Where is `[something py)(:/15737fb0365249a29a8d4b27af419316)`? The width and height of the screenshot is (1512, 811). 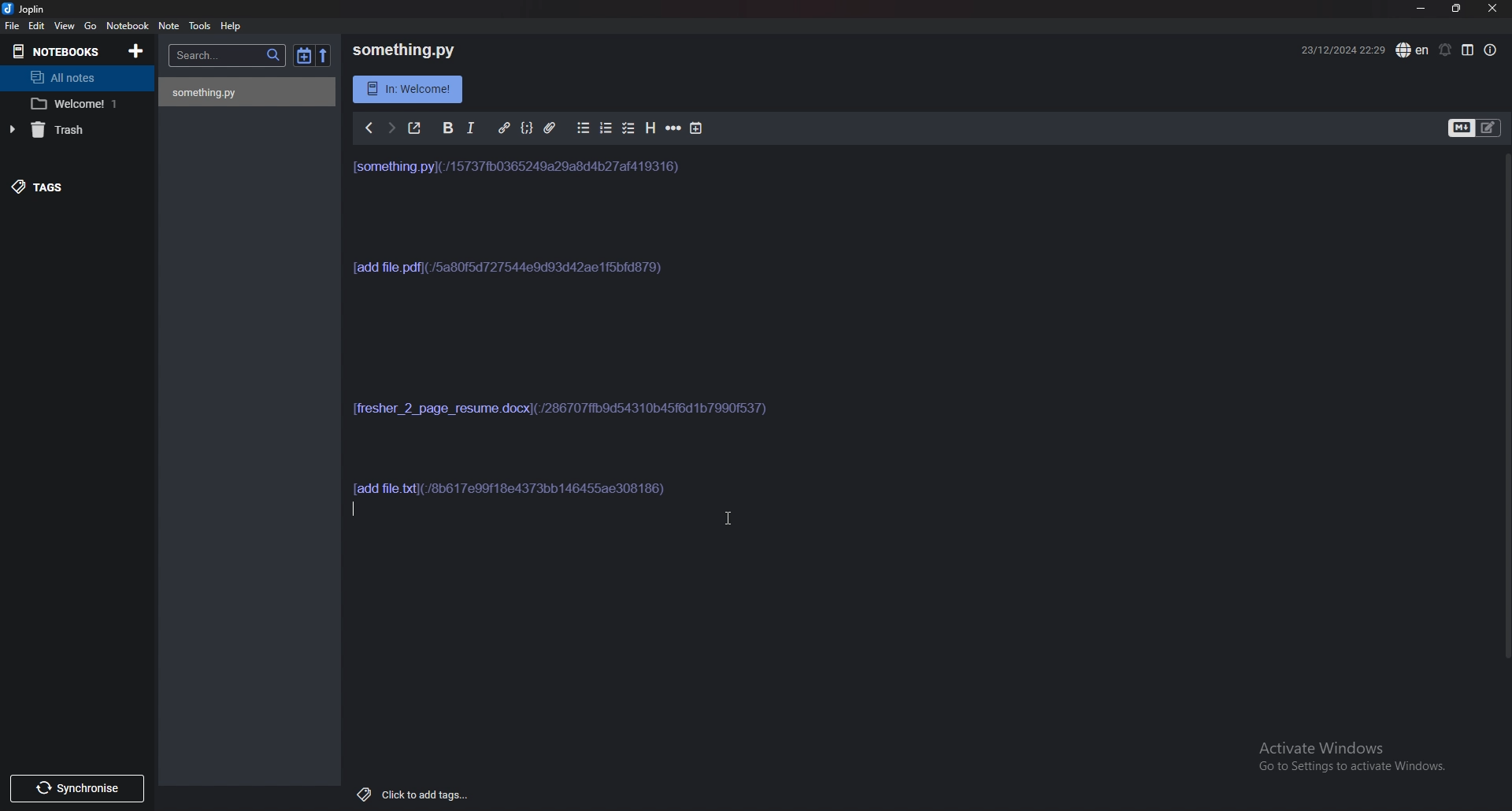
[something py)(:/15737fb0365249a29a8d4b27af419316) is located at coordinates (521, 174).